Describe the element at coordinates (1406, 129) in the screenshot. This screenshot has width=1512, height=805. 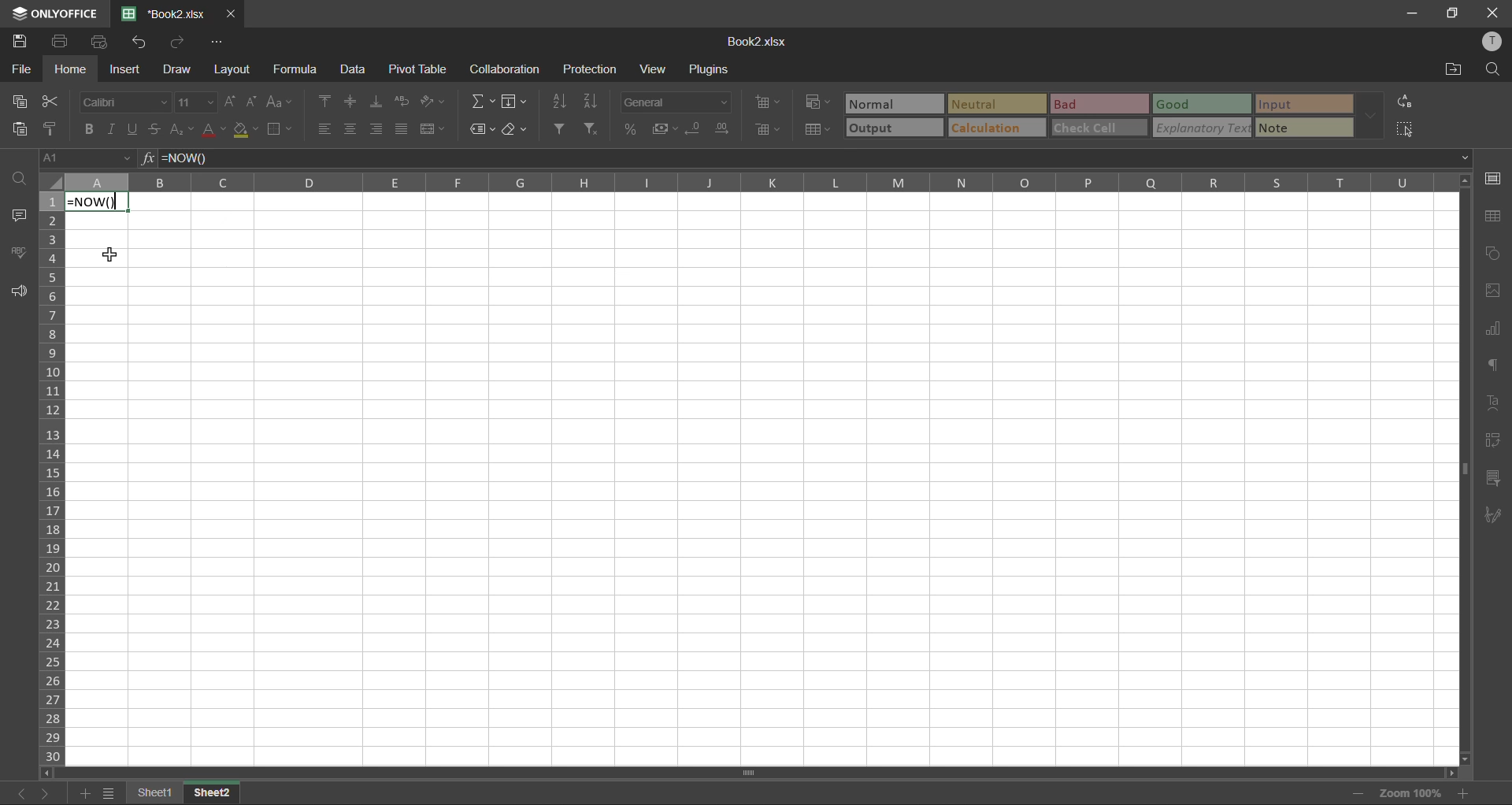
I see `select all` at that location.